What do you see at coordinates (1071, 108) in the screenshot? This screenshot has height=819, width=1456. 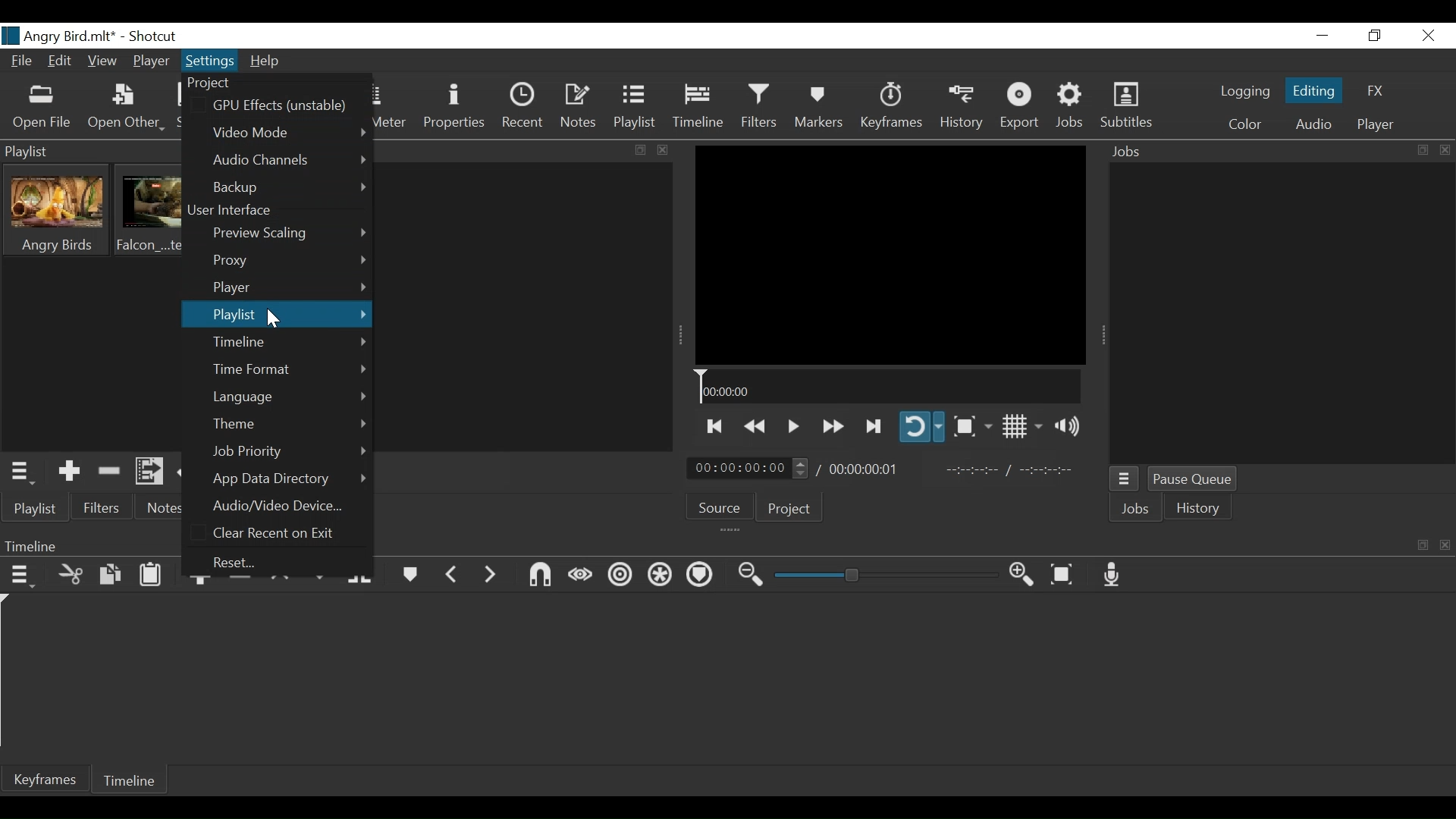 I see `Jobs` at bounding box center [1071, 108].